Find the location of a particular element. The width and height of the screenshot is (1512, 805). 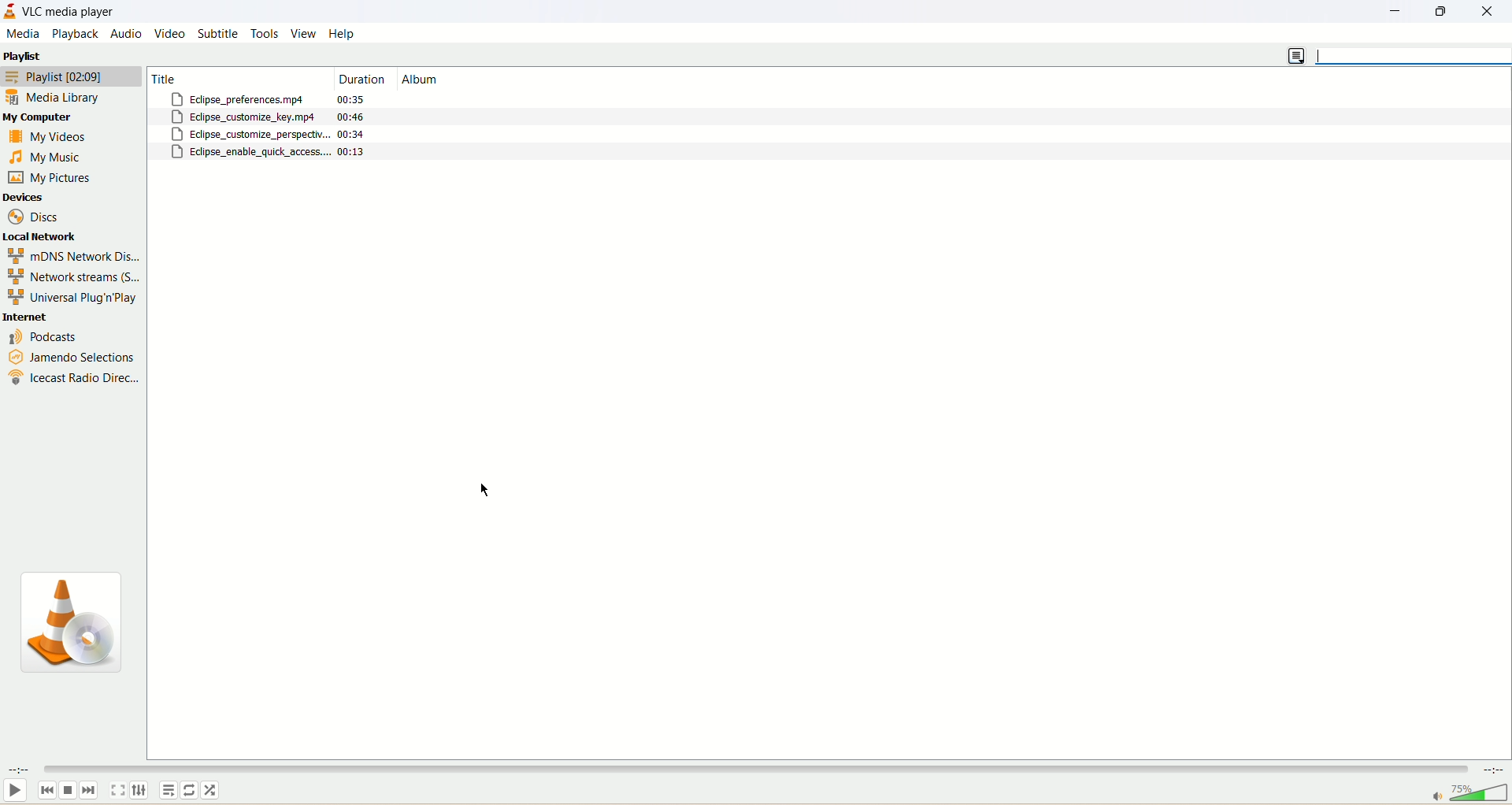

playlist is located at coordinates (70, 78).